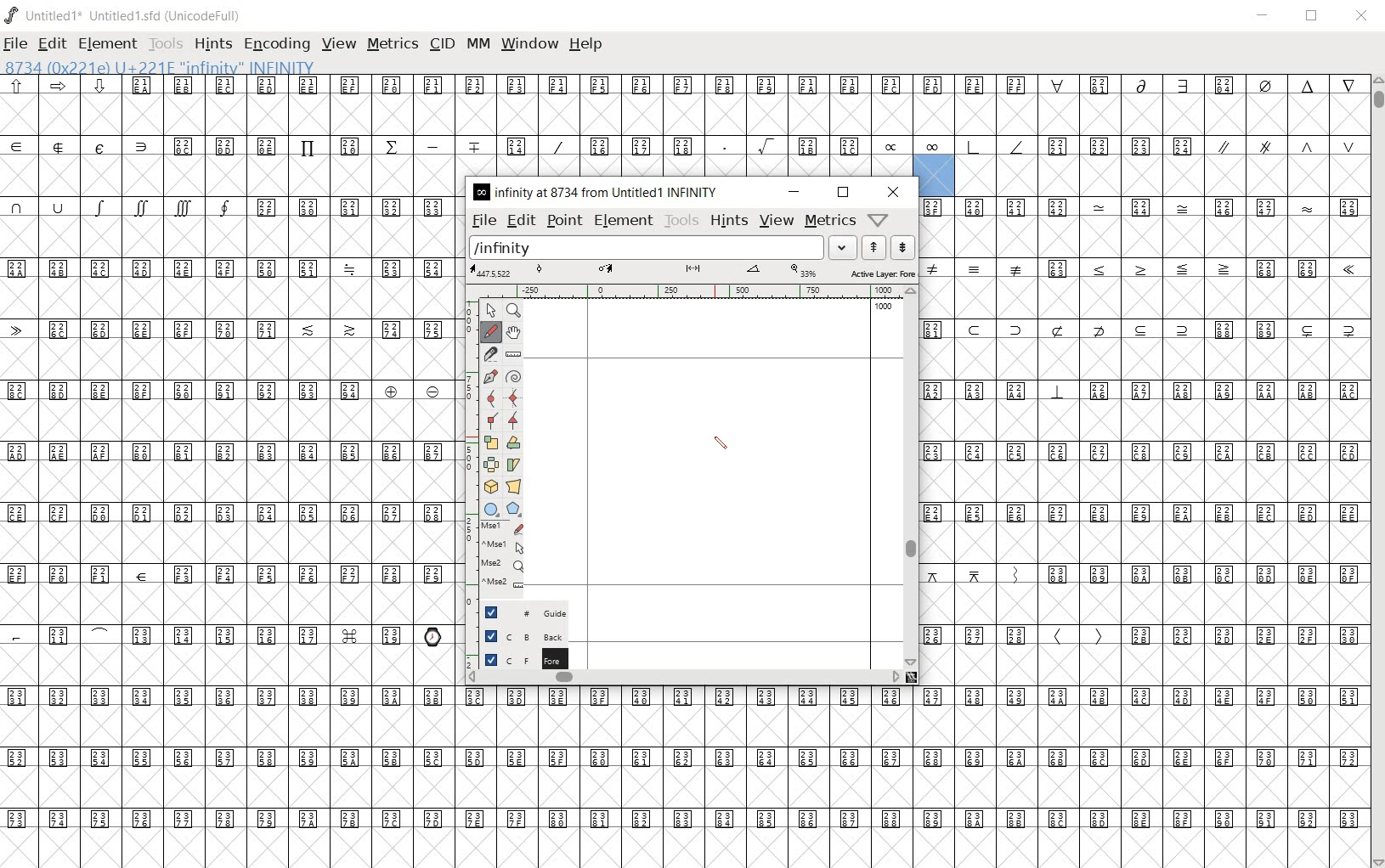  I want to click on Empty glyph slots, so click(1142, 236).